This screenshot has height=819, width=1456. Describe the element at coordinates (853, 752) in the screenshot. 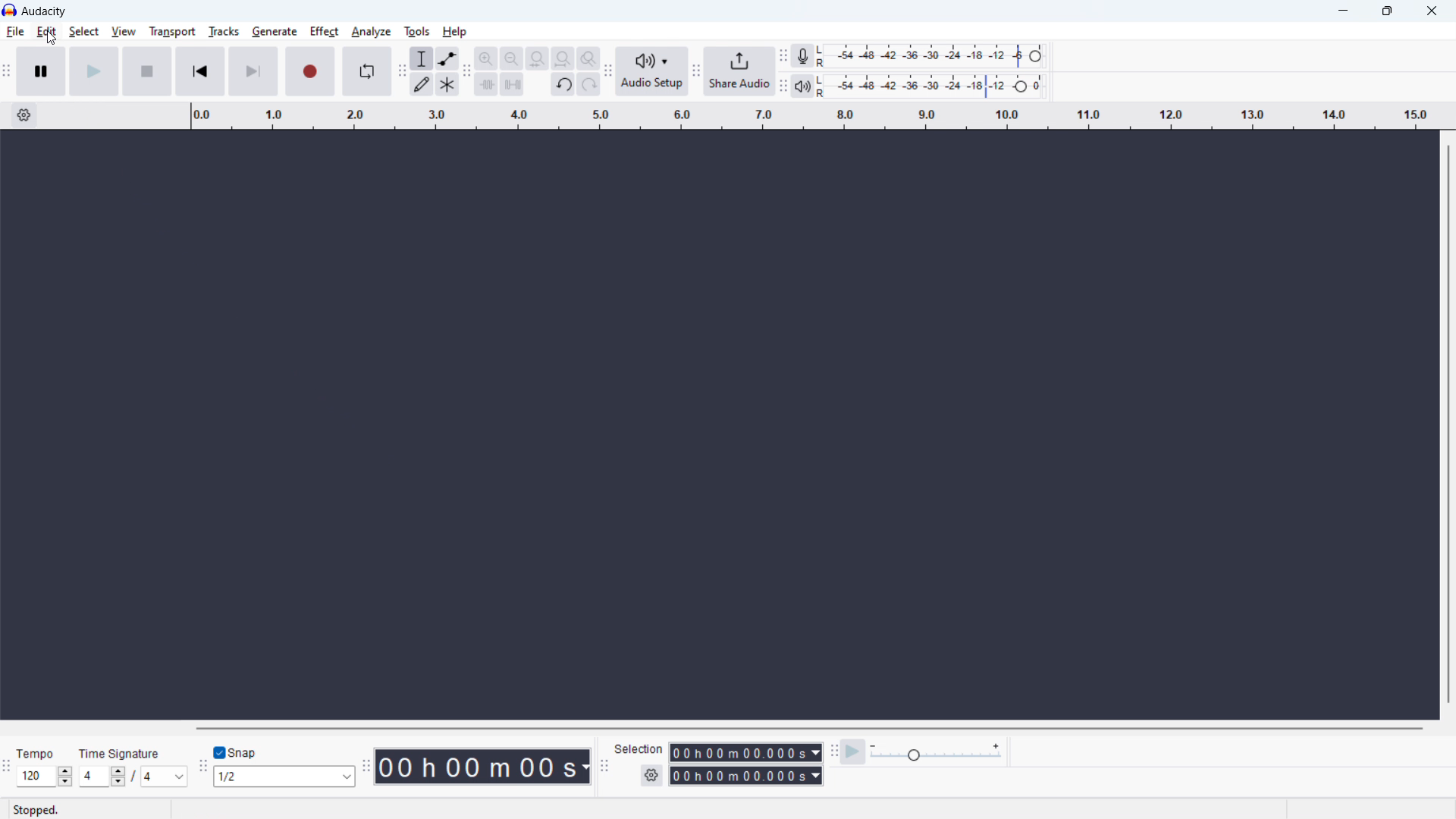

I see `play at speed` at that location.